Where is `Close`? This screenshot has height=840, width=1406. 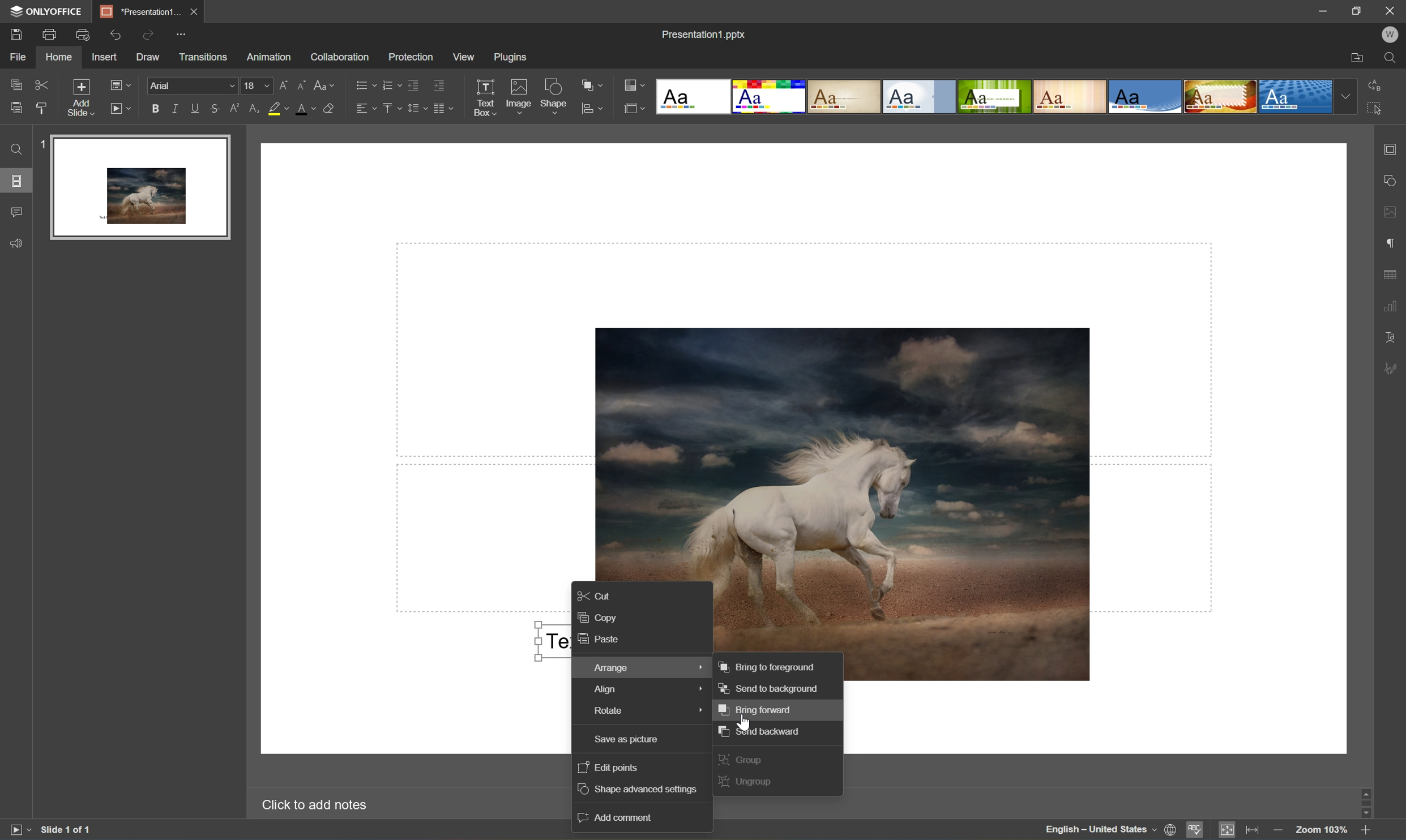 Close is located at coordinates (1390, 12).